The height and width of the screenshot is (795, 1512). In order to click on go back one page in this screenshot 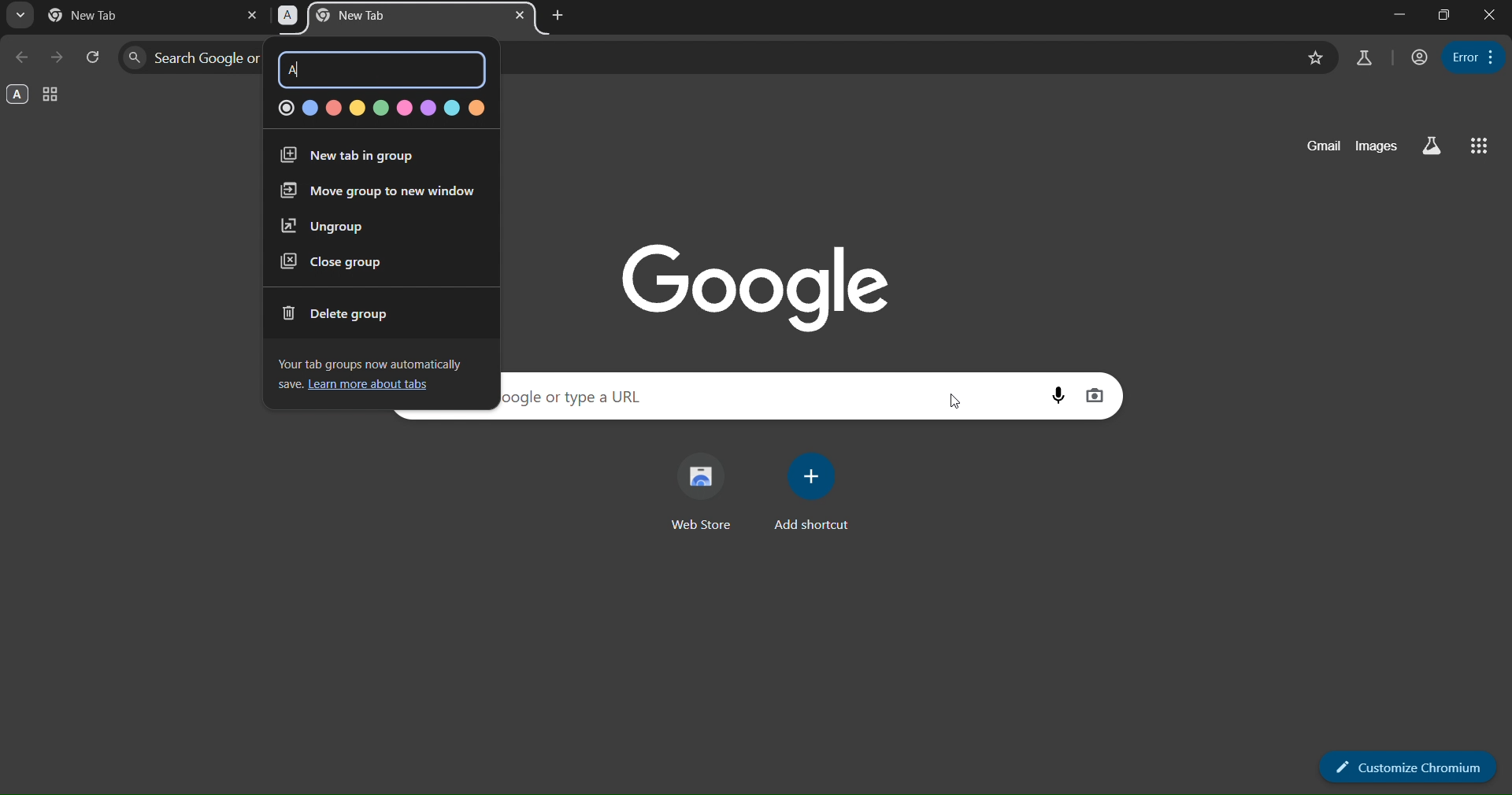, I will do `click(22, 58)`.